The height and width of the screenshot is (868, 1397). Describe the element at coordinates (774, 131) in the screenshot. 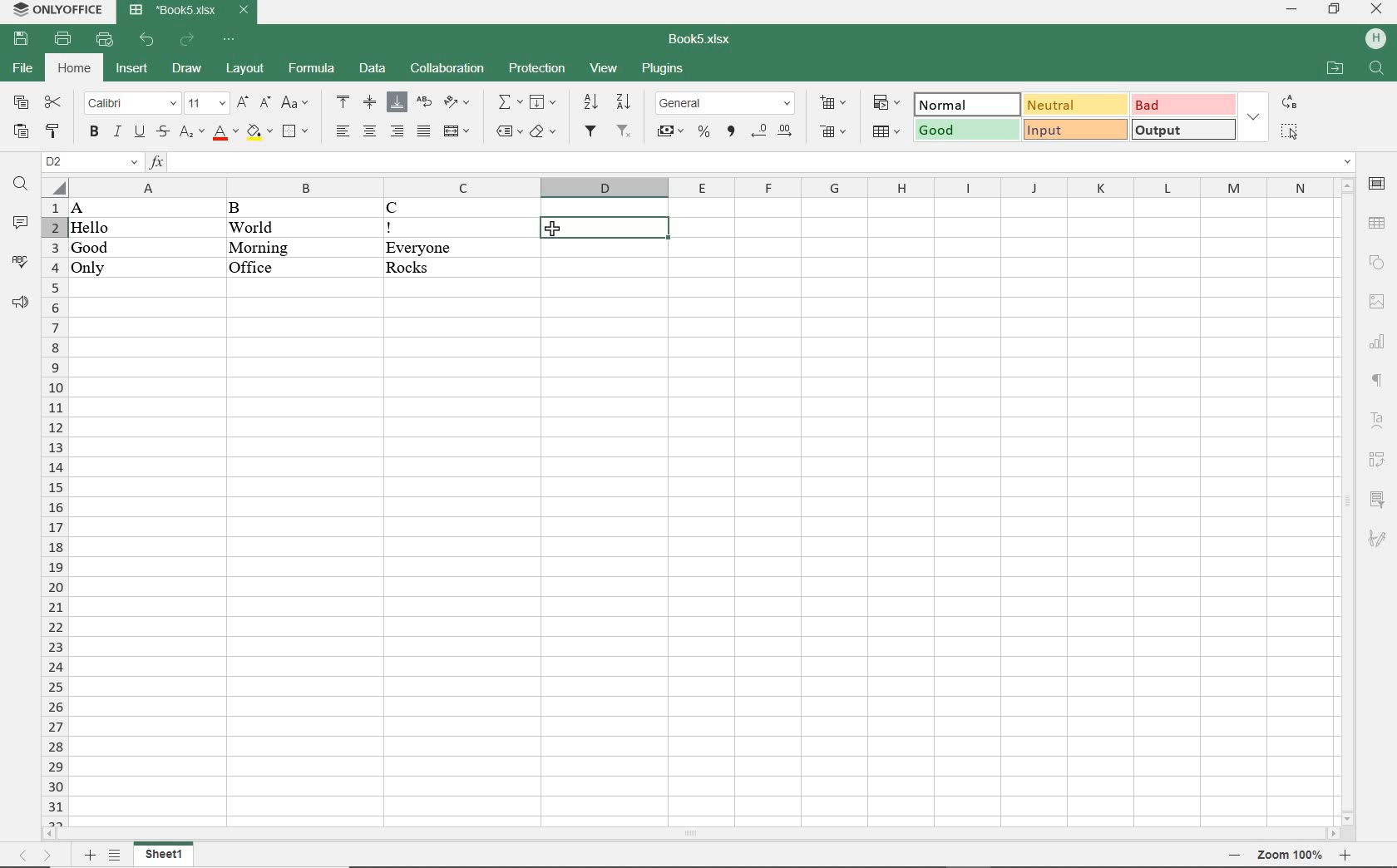

I see `change decimal` at that location.